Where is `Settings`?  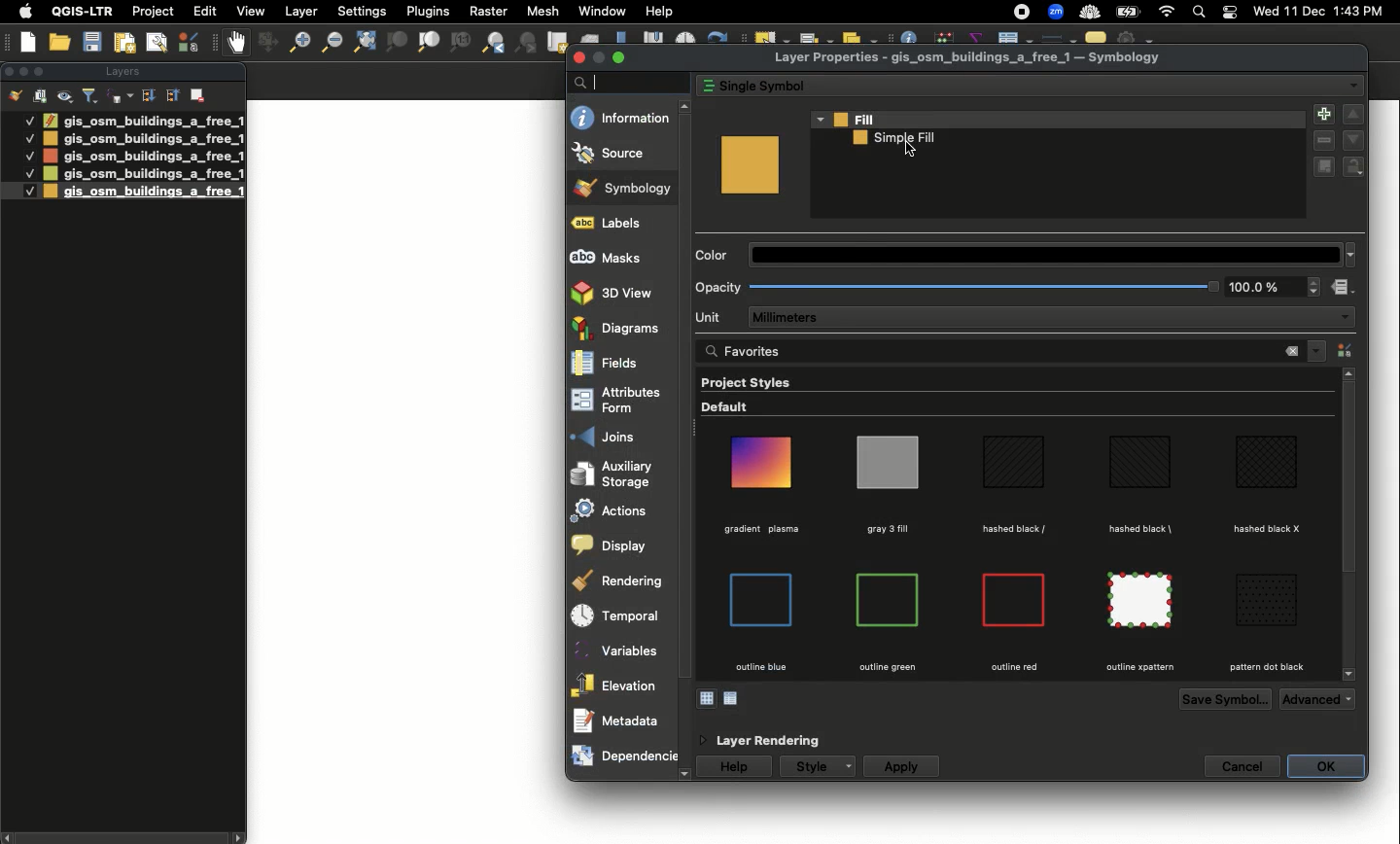
Settings is located at coordinates (364, 12).